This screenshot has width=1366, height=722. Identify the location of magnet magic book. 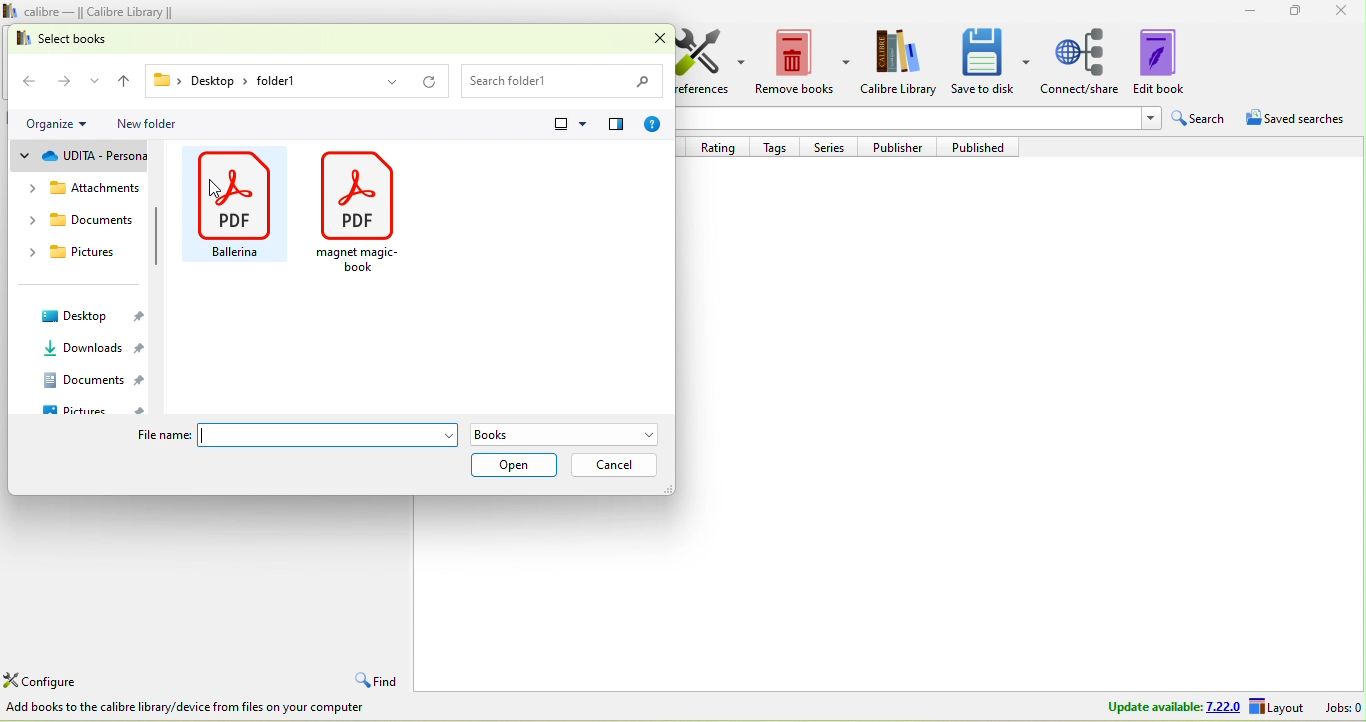
(362, 208).